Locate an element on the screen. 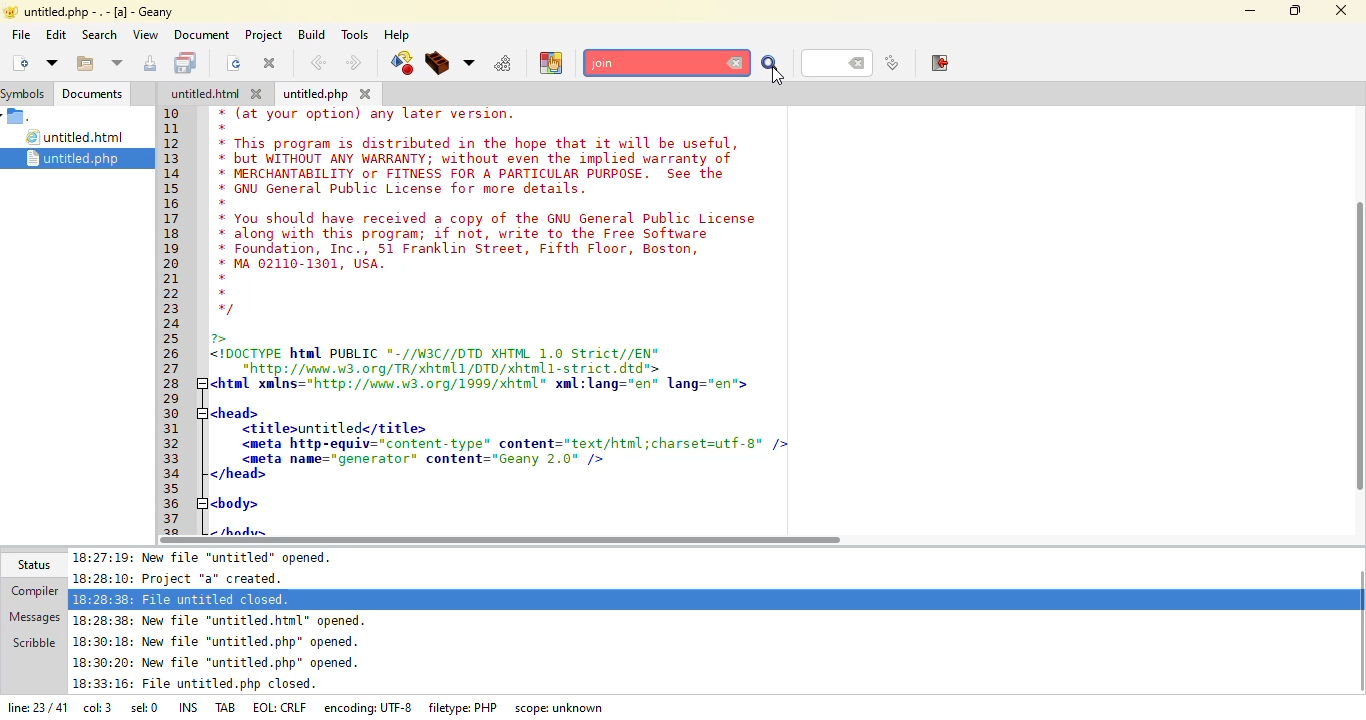 This screenshot has width=1366, height=720. reload is located at coordinates (234, 63).